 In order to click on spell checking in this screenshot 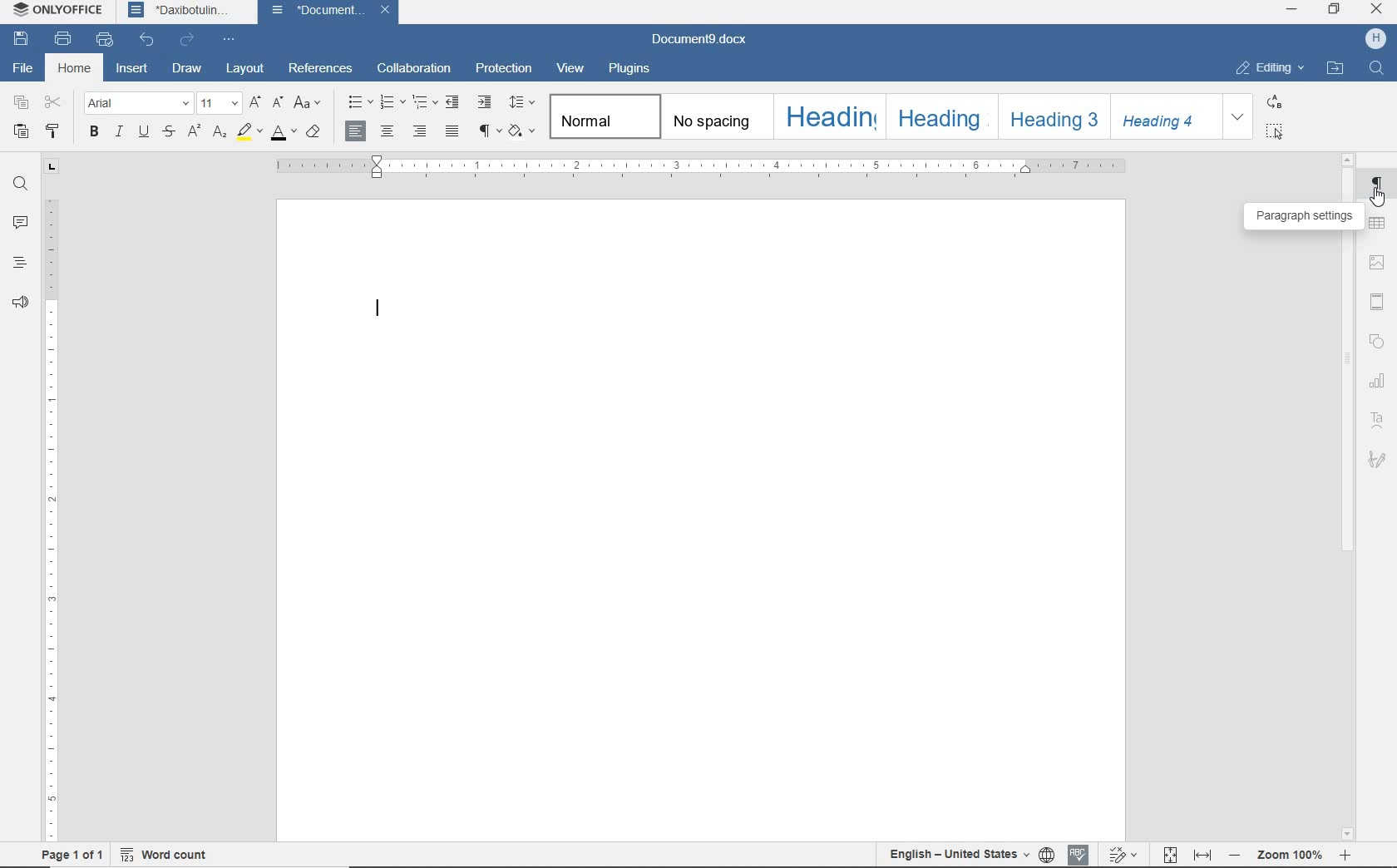, I will do `click(1078, 854)`.